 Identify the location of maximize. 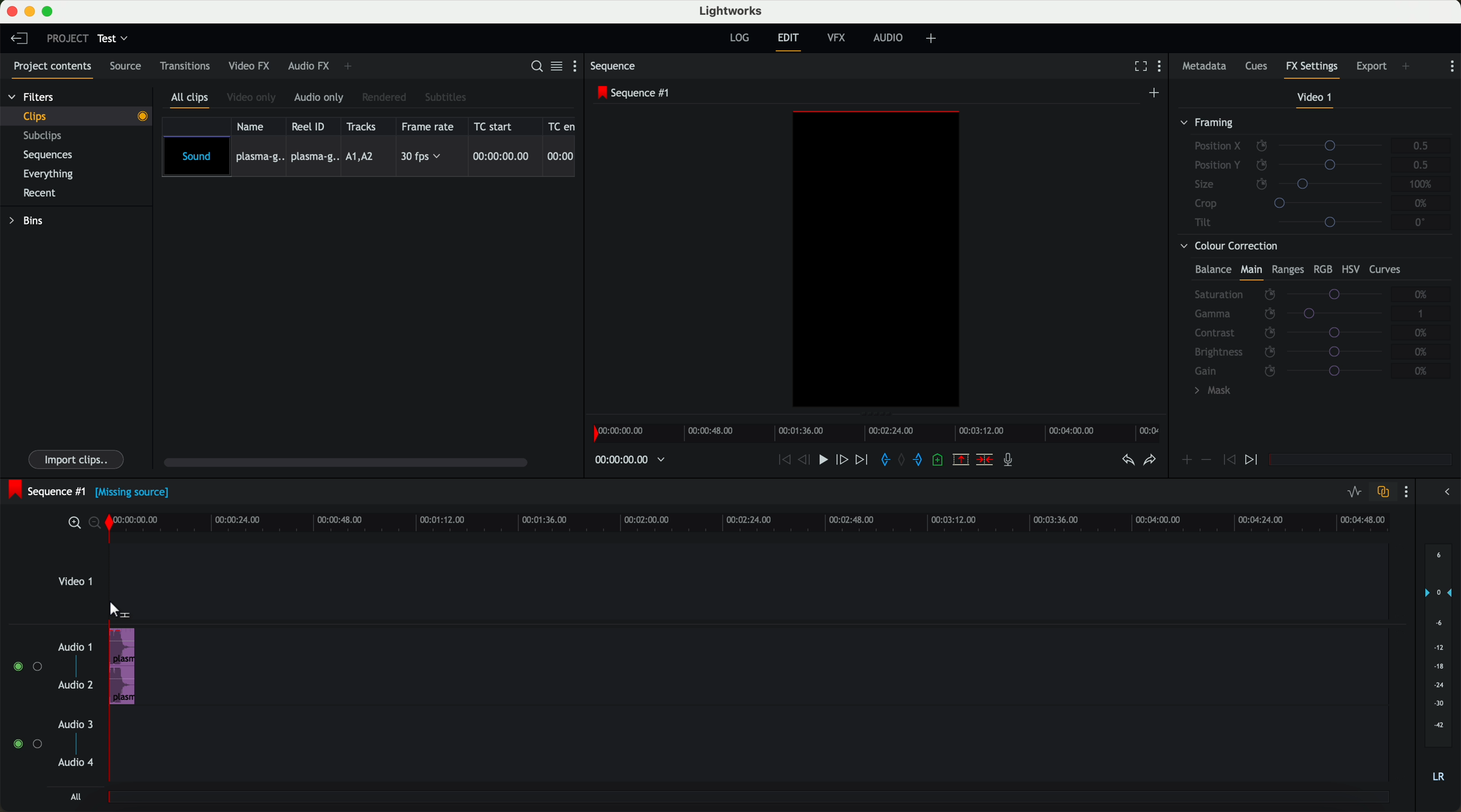
(50, 11).